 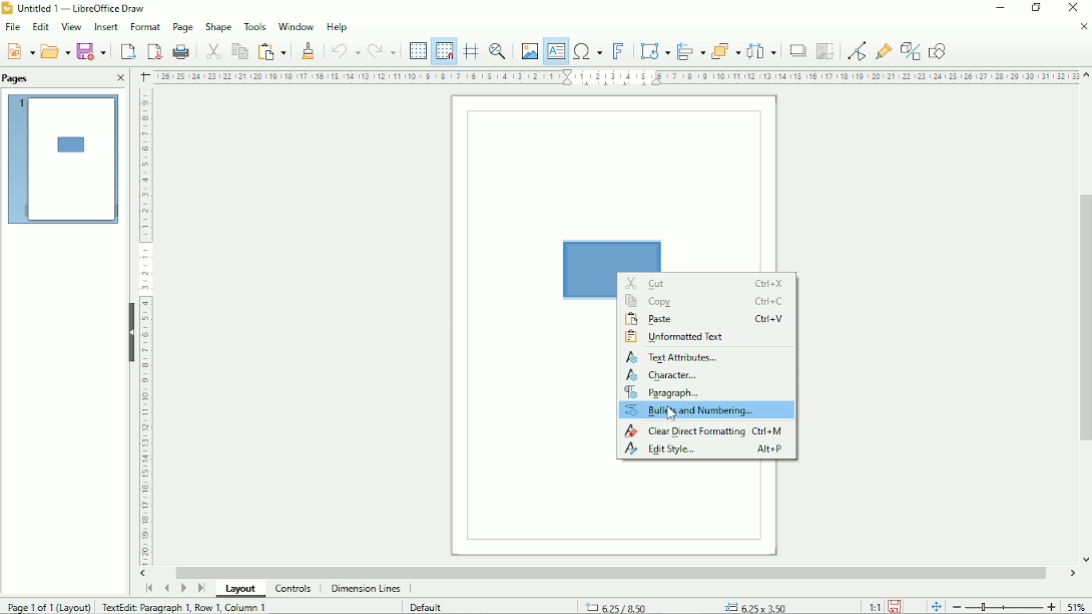 What do you see at coordinates (672, 414) in the screenshot?
I see `Cursor` at bounding box center [672, 414].